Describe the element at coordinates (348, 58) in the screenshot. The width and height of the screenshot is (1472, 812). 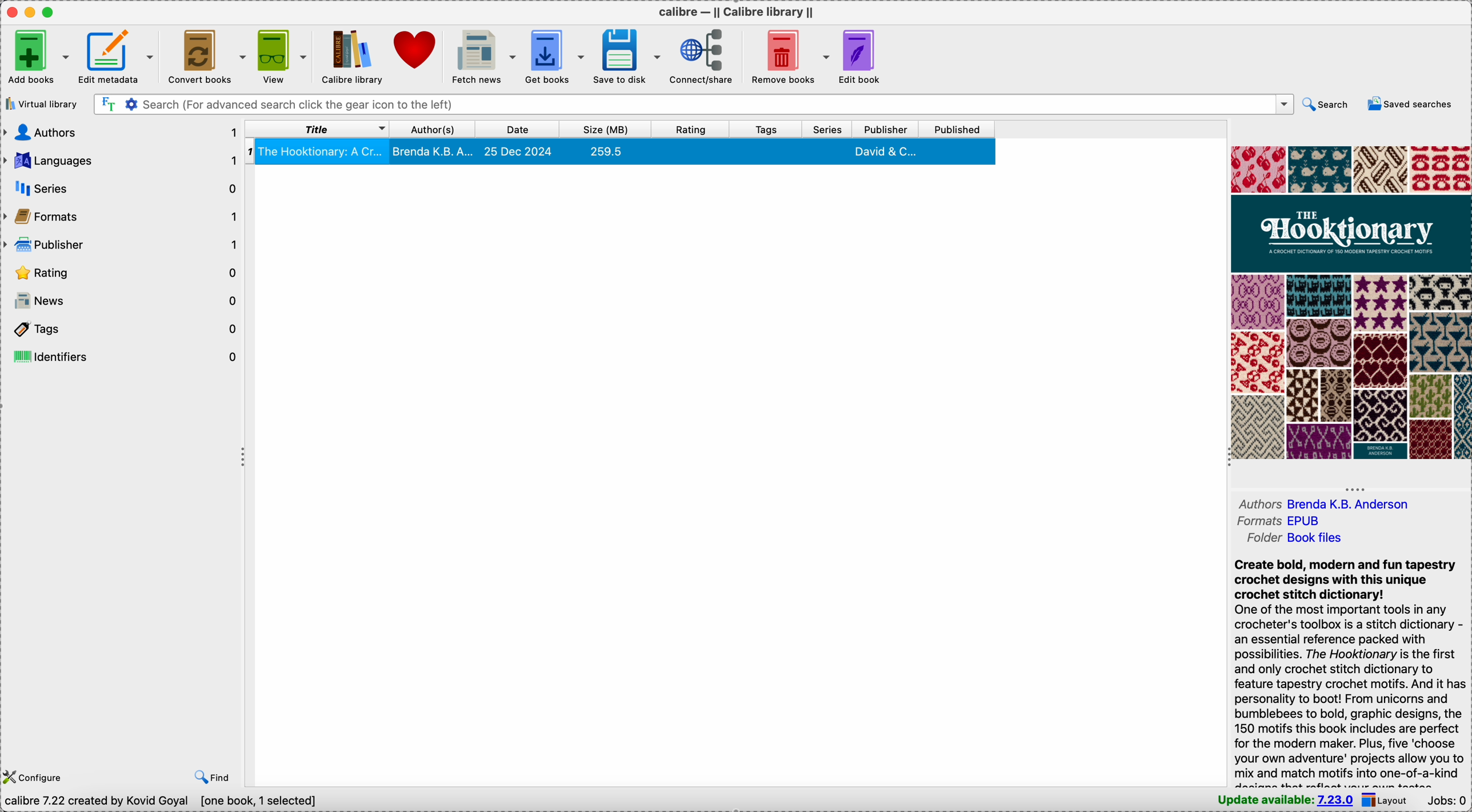
I see `Calibre library` at that location.